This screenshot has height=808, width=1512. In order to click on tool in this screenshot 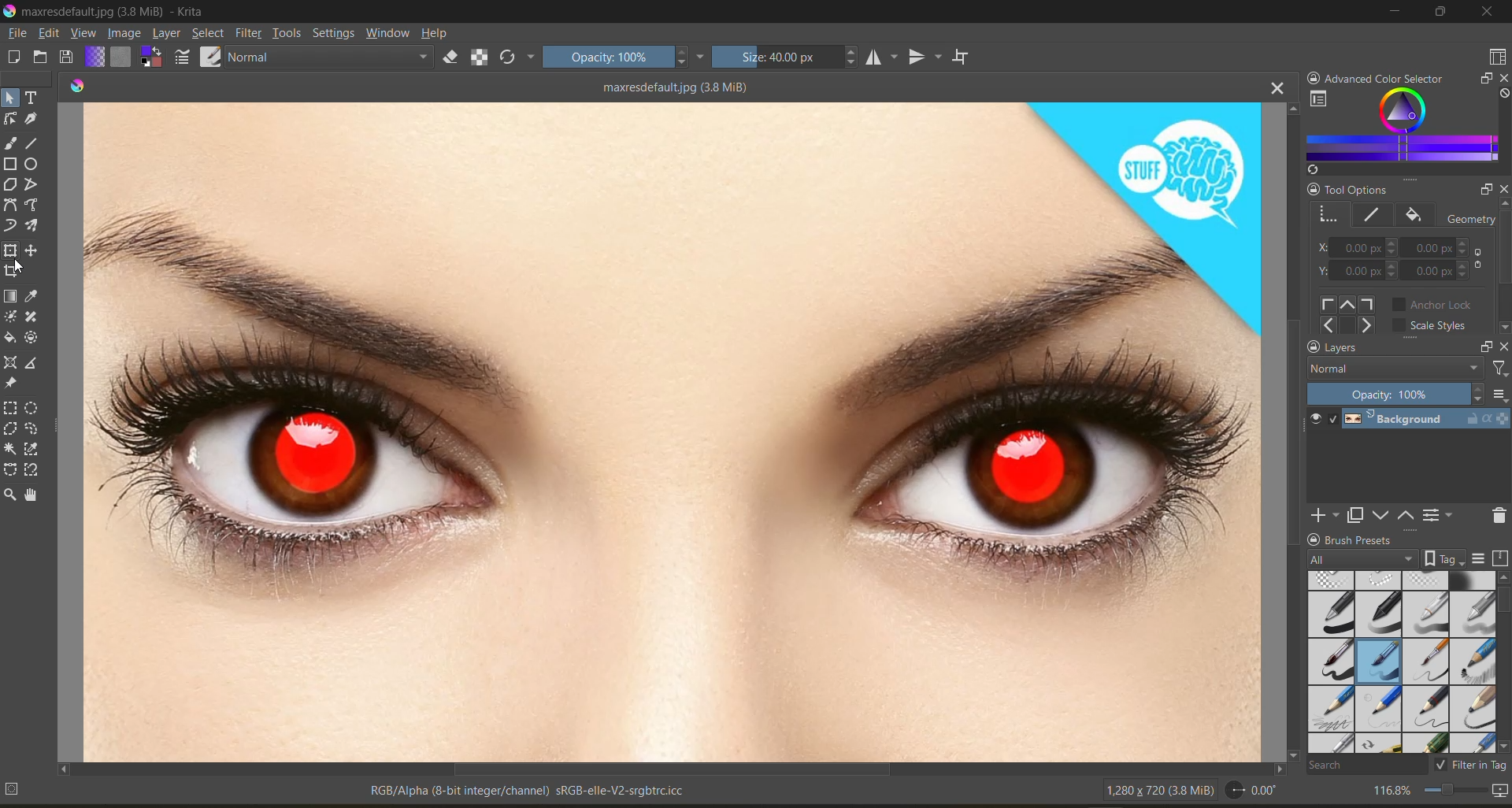, I will do `click(32, 496)`.